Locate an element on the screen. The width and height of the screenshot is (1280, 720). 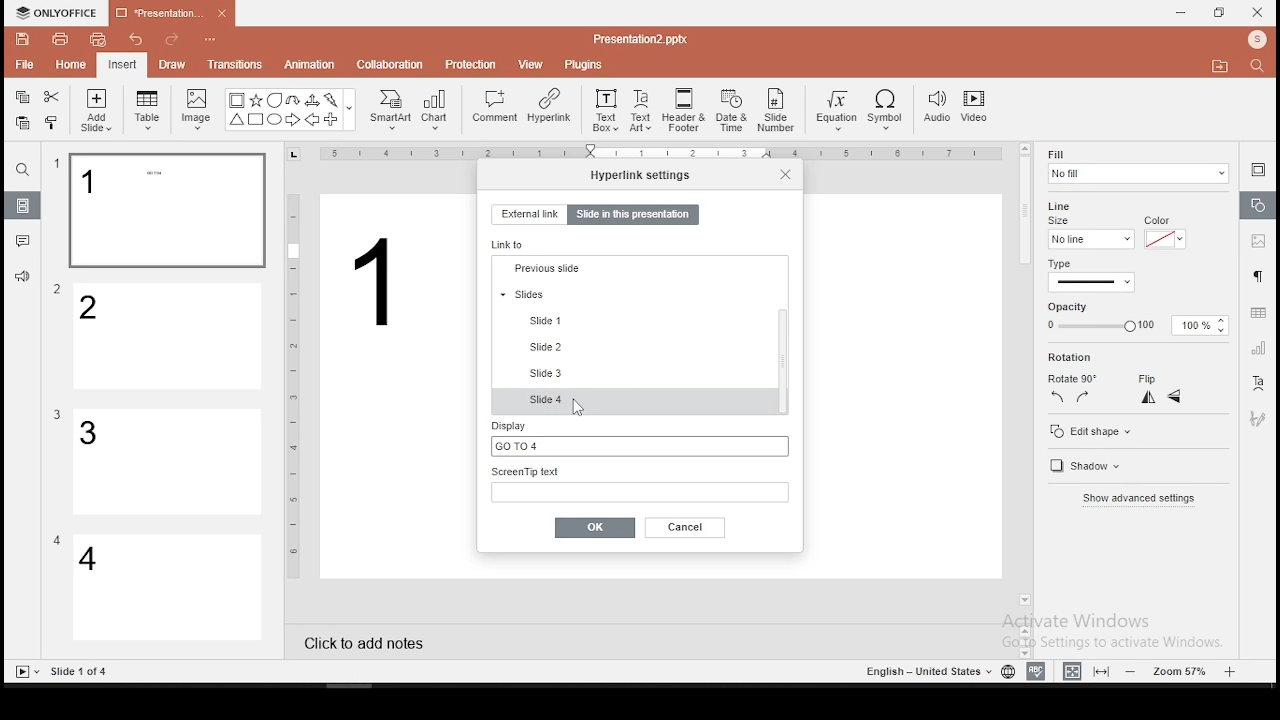
print file is located at coordinates (60, 37).